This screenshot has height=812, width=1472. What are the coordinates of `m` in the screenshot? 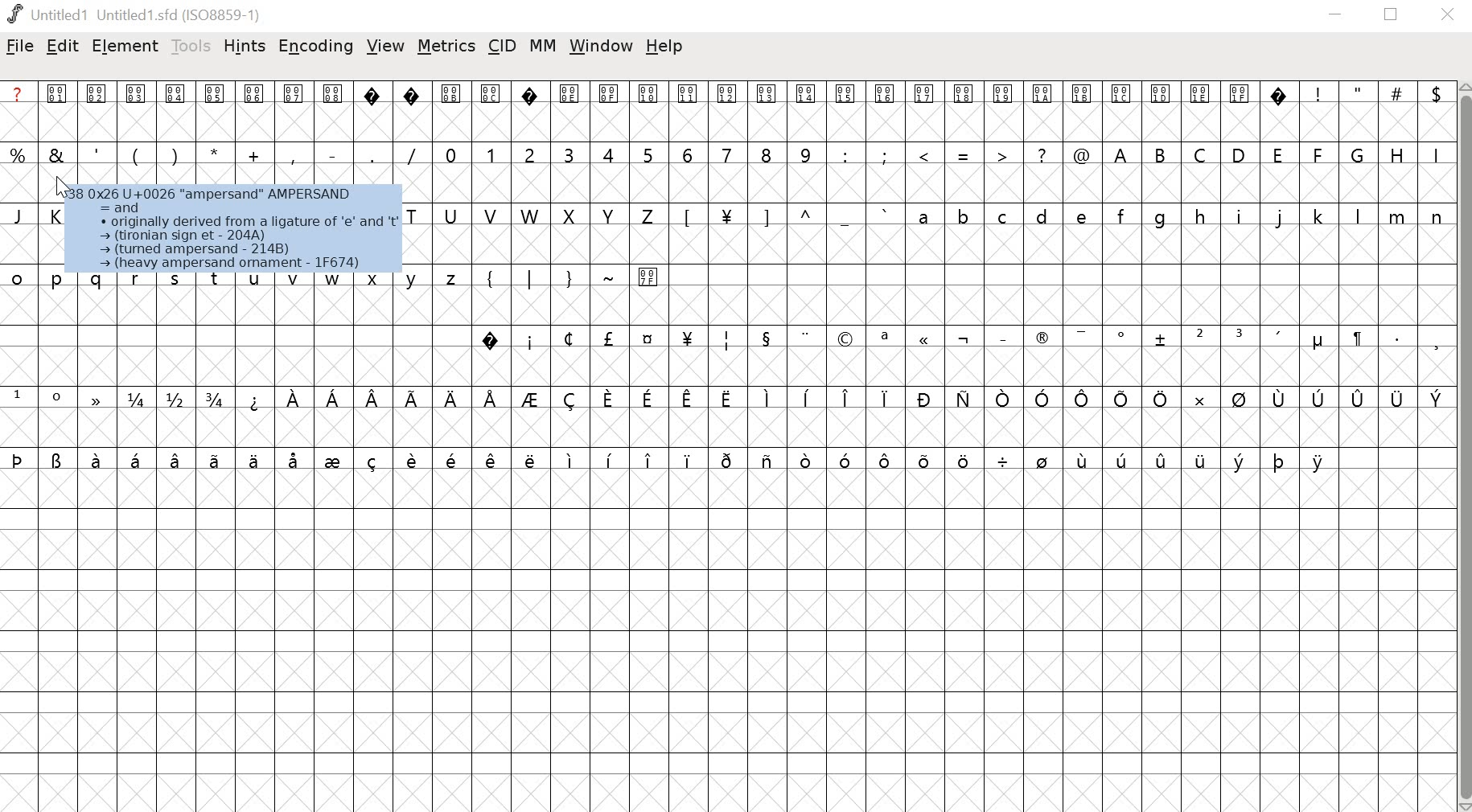 It's located at (1399, 215).